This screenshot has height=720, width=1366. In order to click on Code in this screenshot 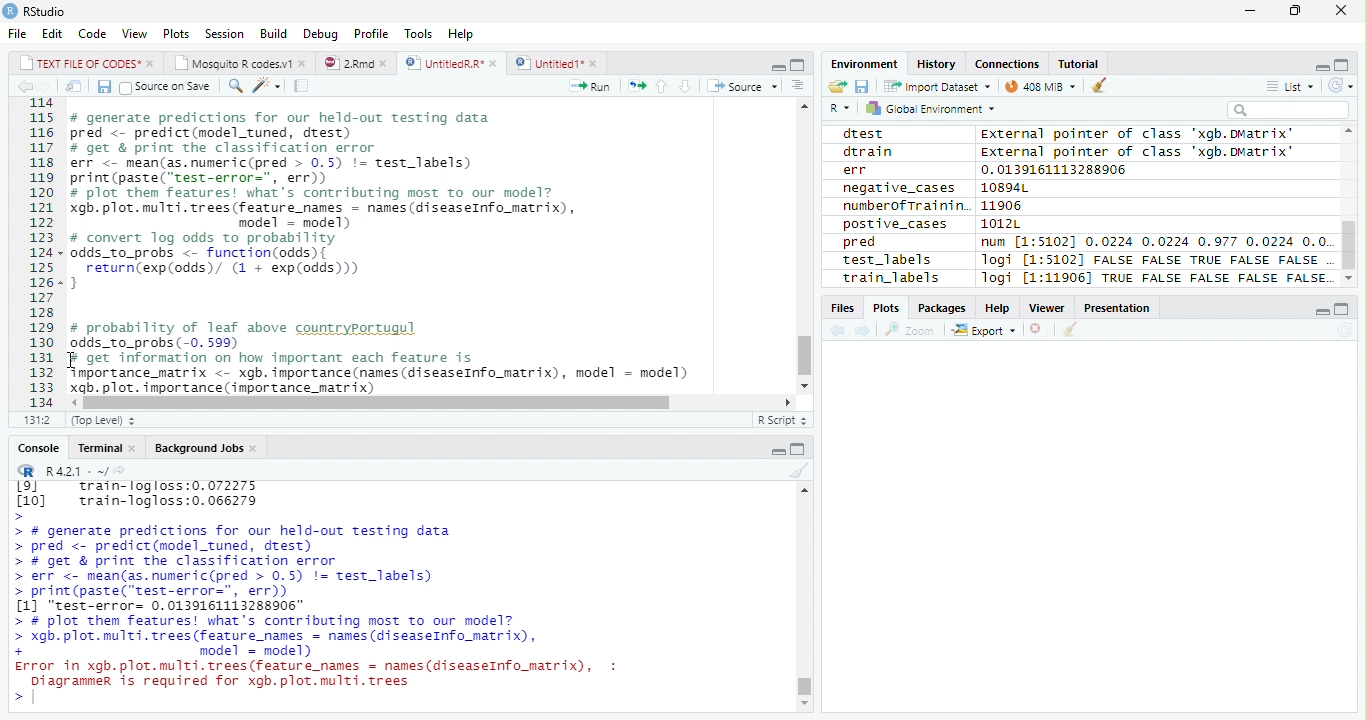, I will do `click(90, 34)`.